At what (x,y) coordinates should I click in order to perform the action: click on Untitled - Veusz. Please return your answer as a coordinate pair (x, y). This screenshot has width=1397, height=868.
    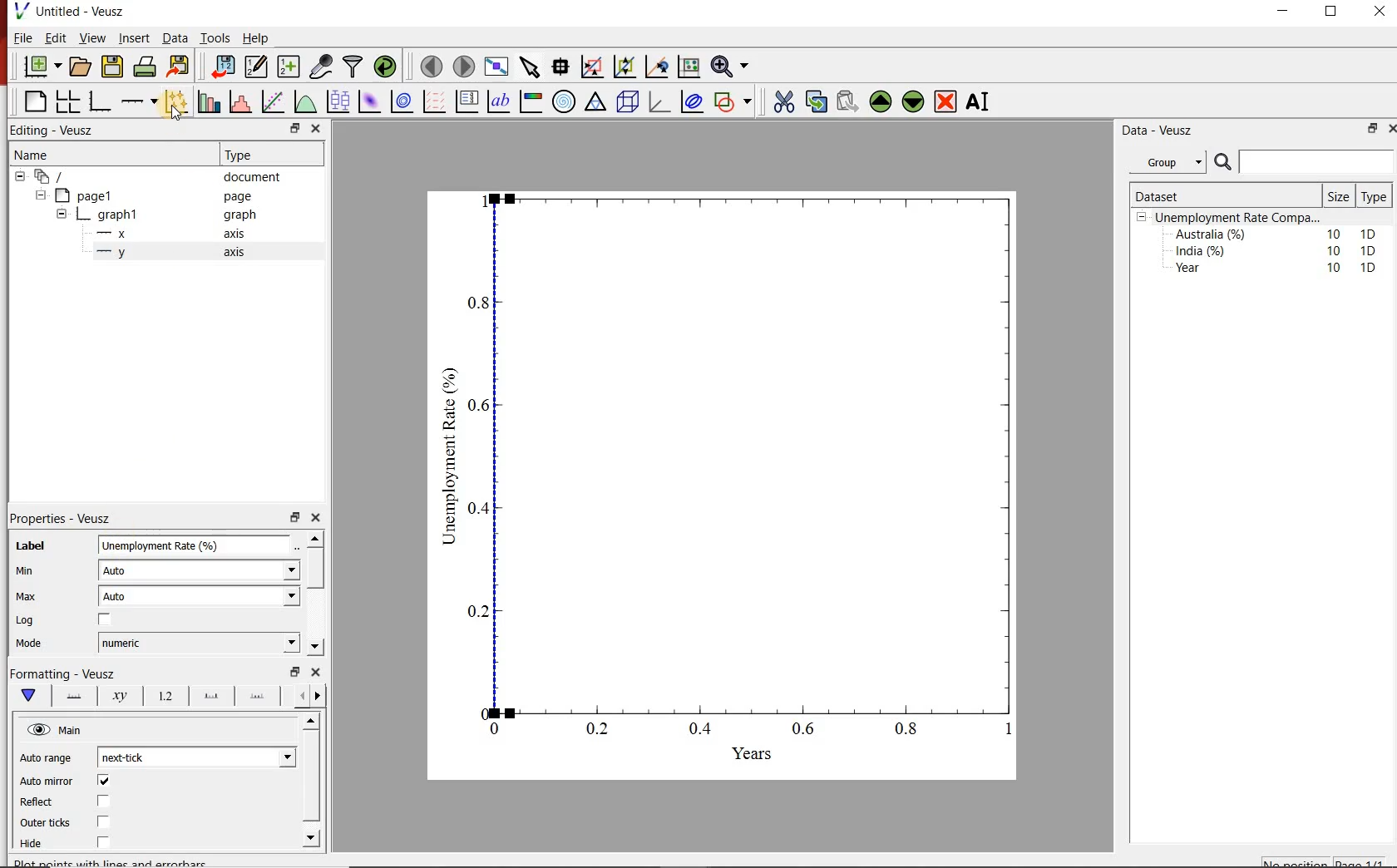
    Looking at the image, I should click on (68, 10).